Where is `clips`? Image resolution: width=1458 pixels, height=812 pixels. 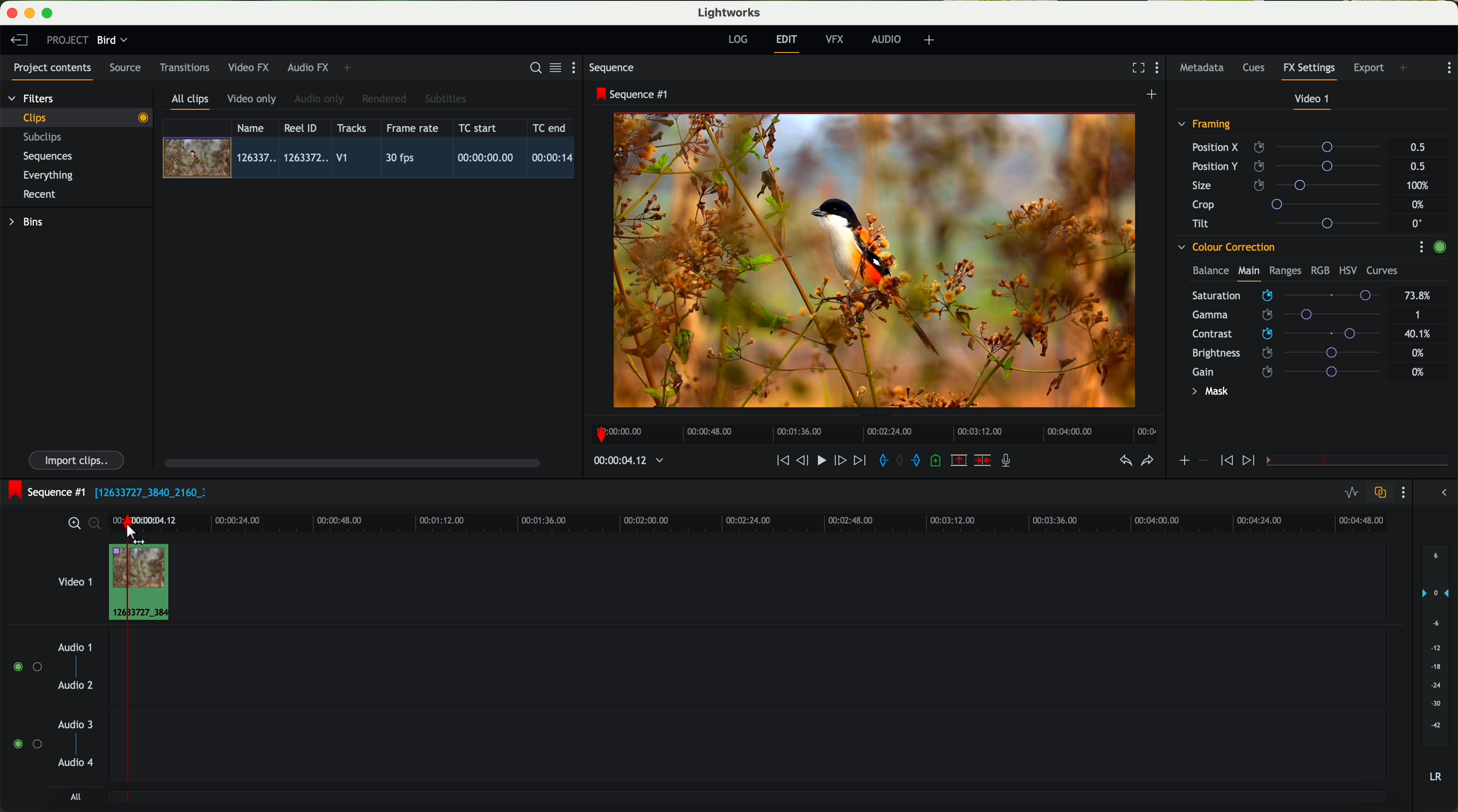
clips is located at coordinates (77, 117).